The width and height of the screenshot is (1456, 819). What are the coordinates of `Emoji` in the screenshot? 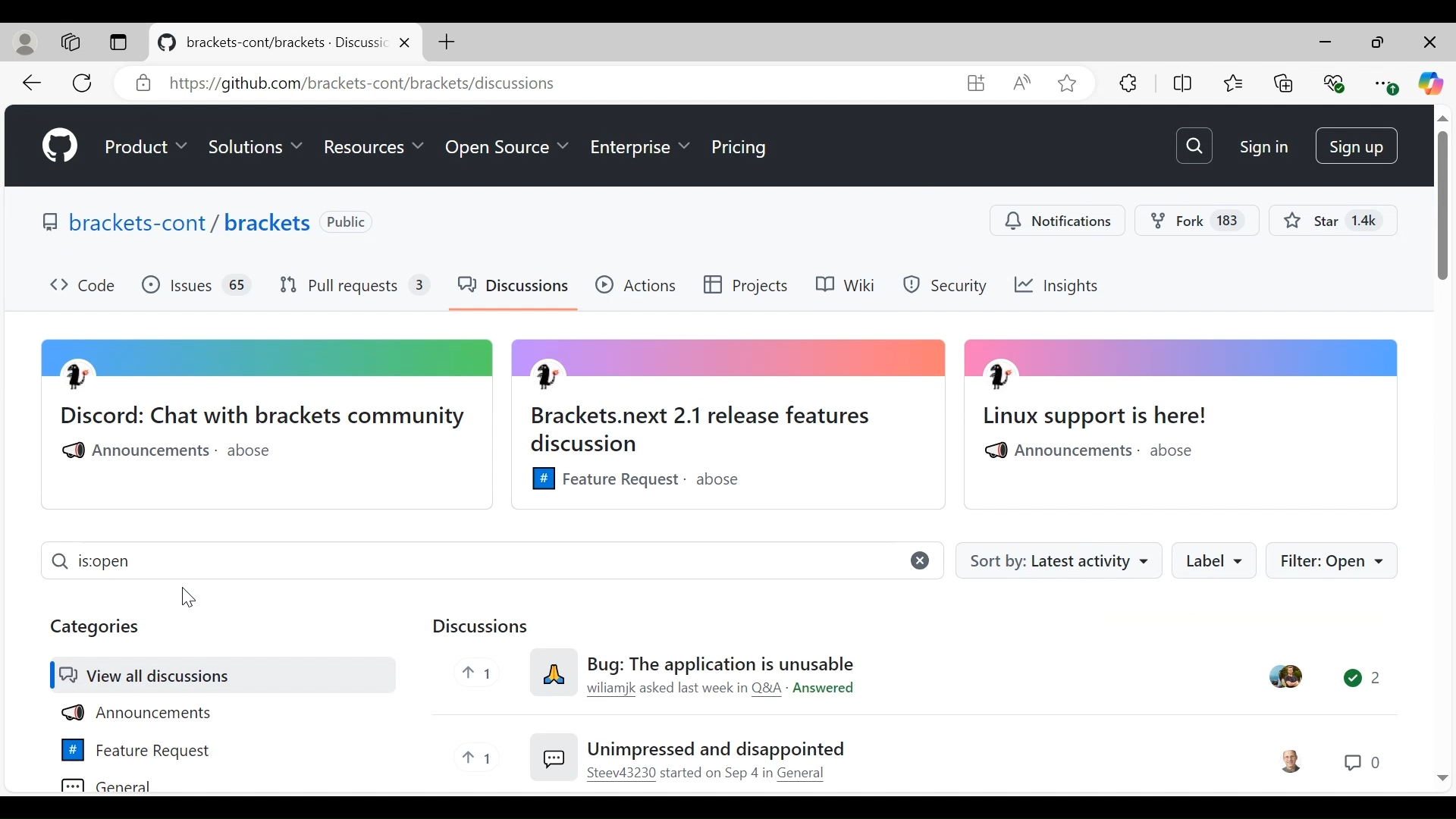 It's located at (554, 672).